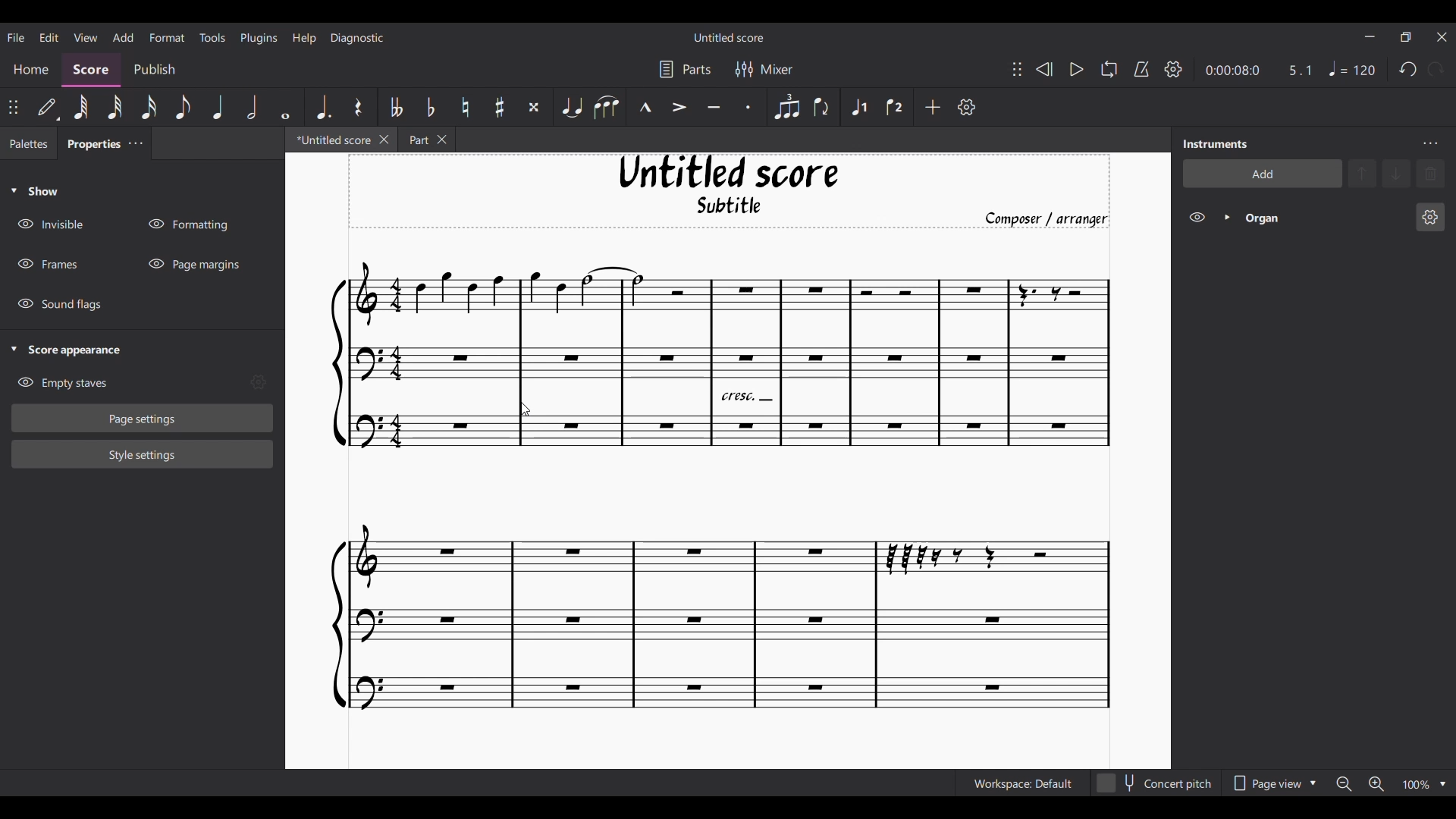 Image resolution: width=1456 pixels, height=819 pixels. What do you see at coordinates (1043, 69) in the screenshot?
I see `Rewind` at bounding box center [1043, 69].